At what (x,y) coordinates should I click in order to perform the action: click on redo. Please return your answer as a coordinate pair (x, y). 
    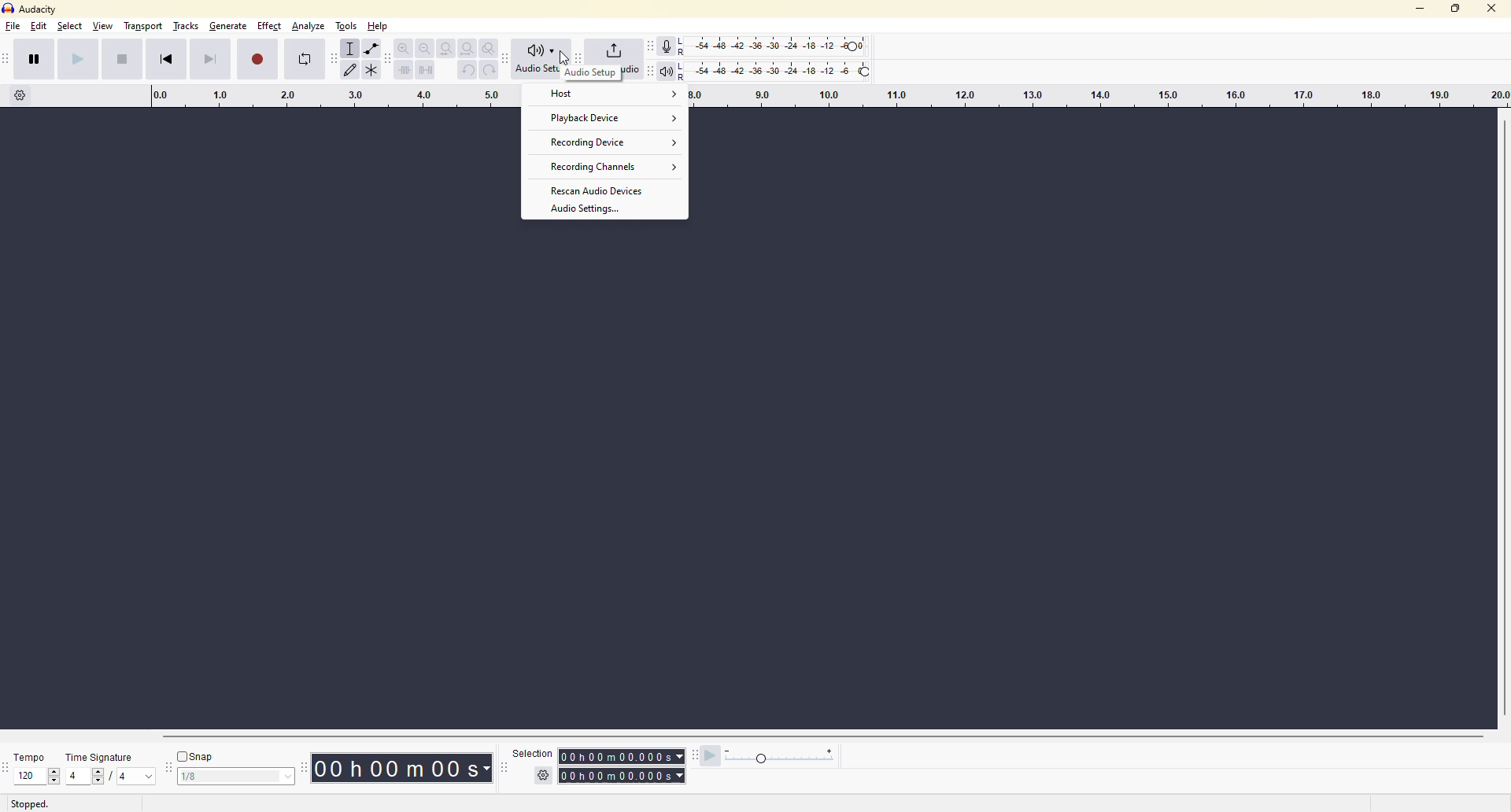
    Looking at the image, I should click on (488, 70).